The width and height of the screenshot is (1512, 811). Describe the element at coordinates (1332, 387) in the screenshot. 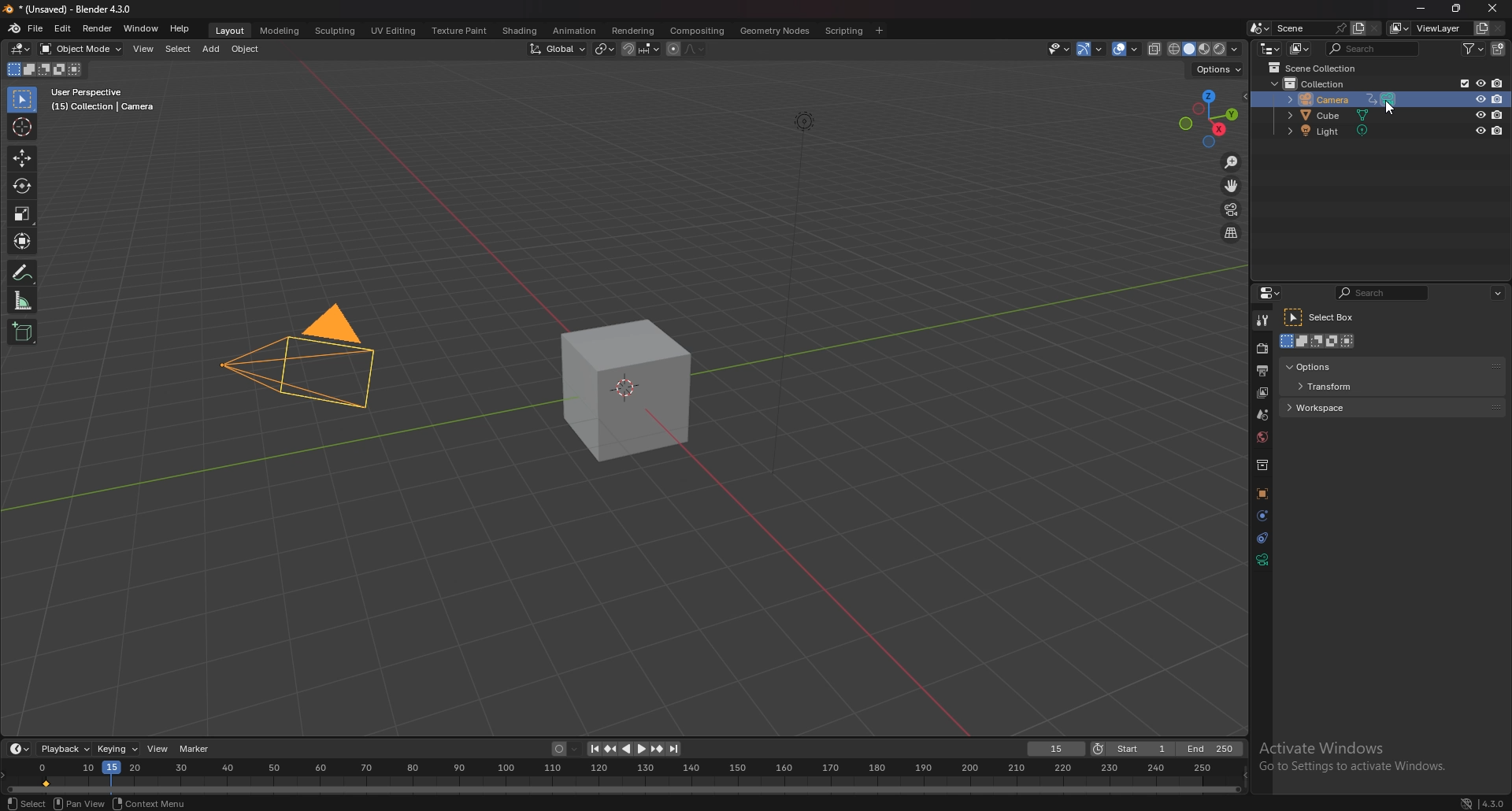

I see `transform` at that location.